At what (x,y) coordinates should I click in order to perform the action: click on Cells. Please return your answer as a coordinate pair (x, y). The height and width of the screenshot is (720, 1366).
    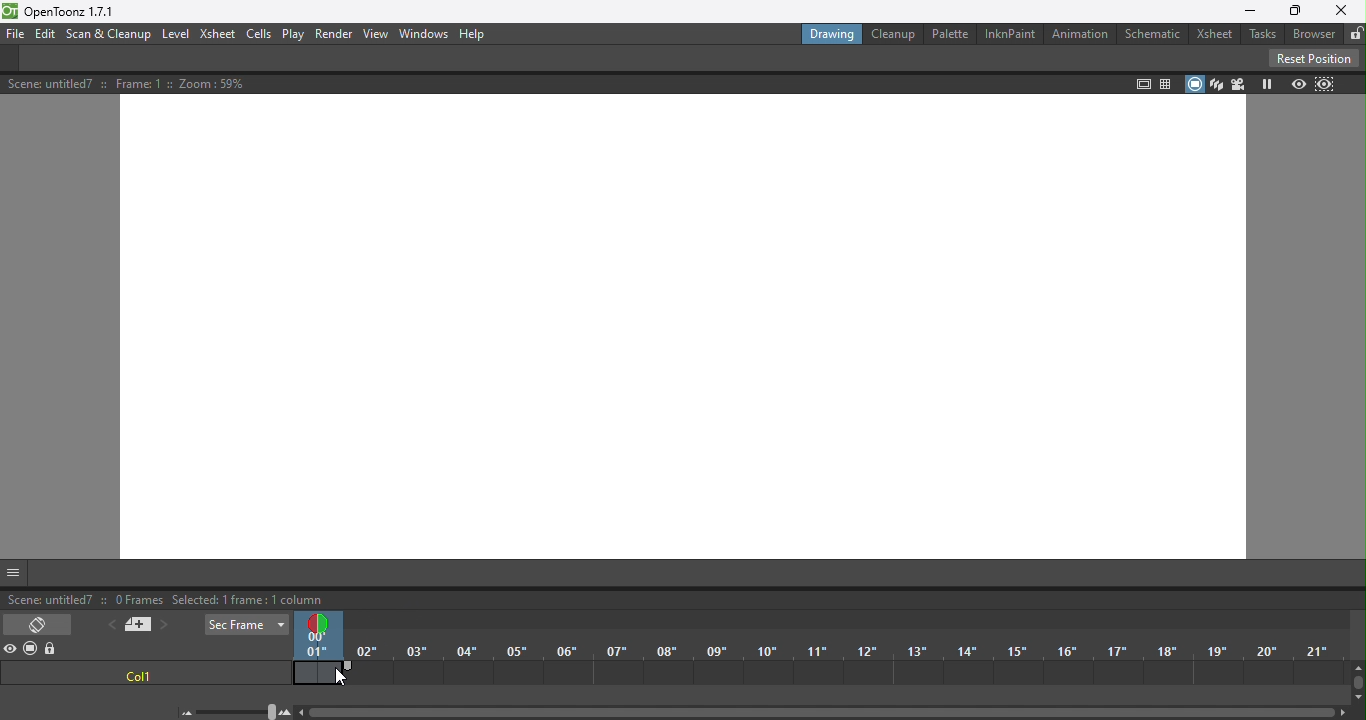
    Looking at the image, I should click on (258, 35).